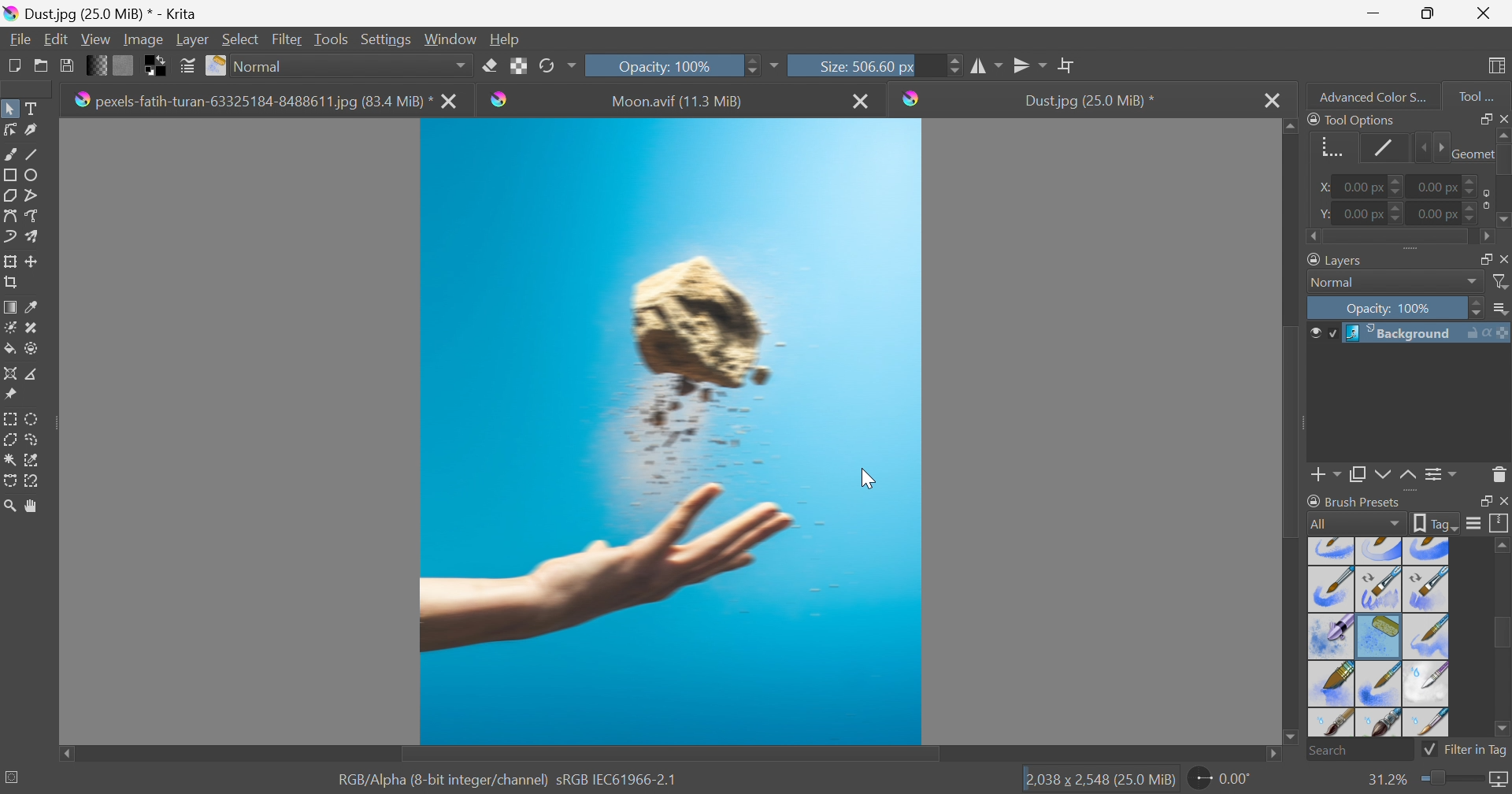 The image size is (1512, 794). What do you see at coordinates (671, 432) in the screenshot?
I see `Image` at bounding box center [671, 432].